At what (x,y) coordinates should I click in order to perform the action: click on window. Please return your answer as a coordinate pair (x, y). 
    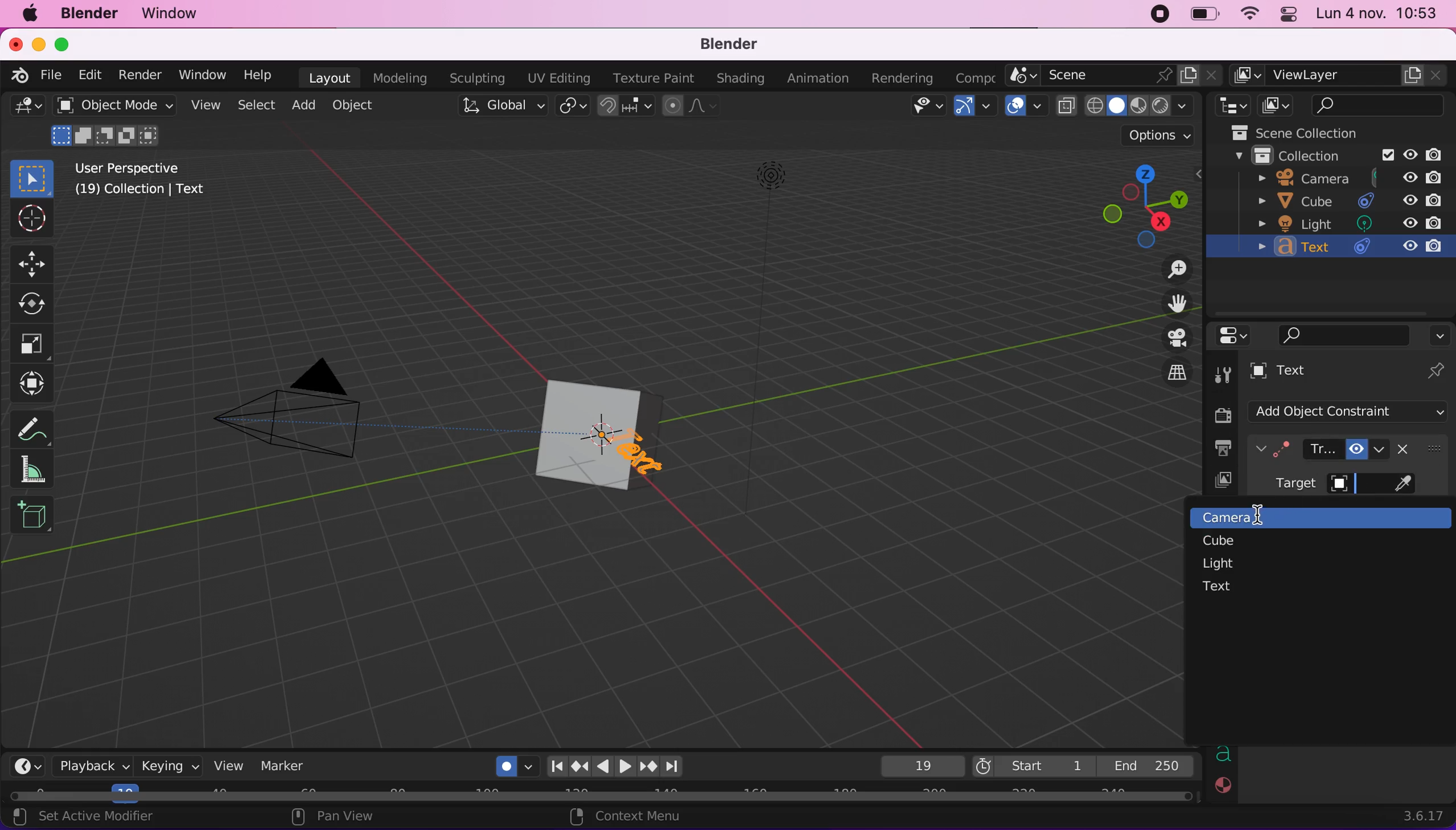
    Looking at the image, I should click on (174, 13).